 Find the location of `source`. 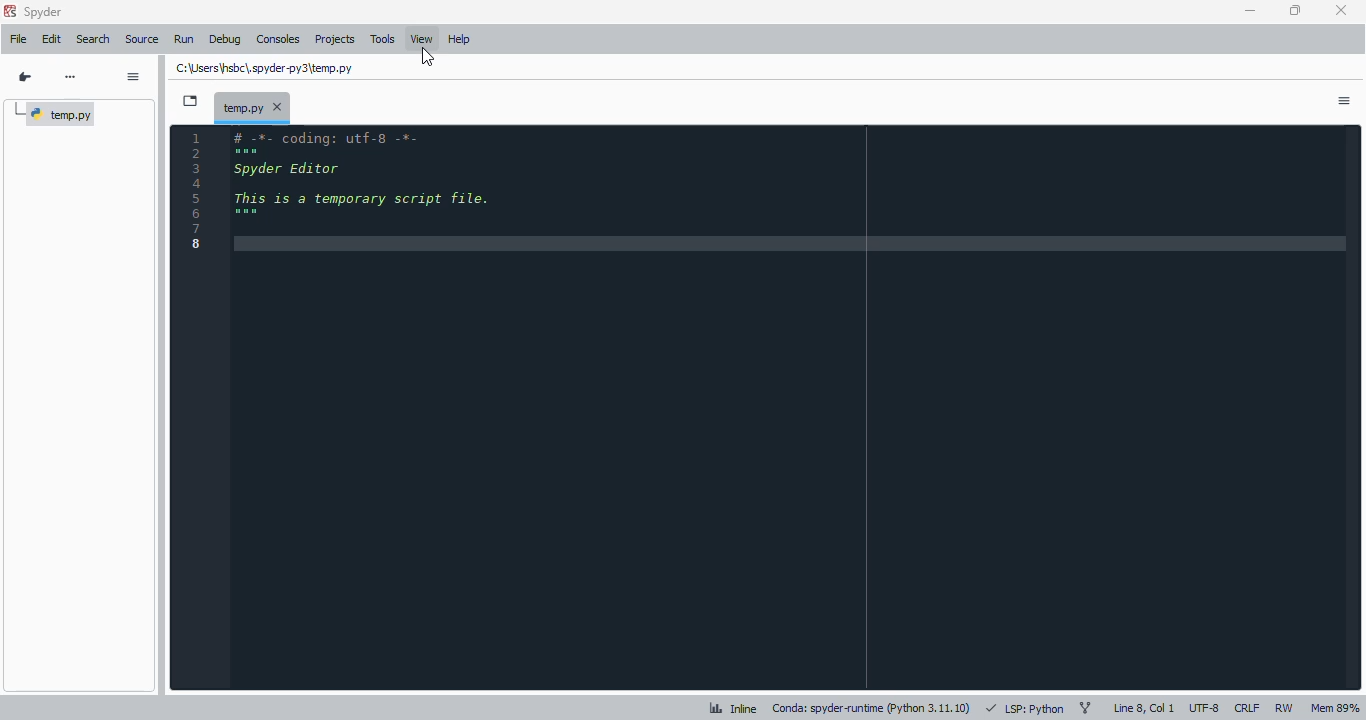

source is located at coordinates (142, 40).